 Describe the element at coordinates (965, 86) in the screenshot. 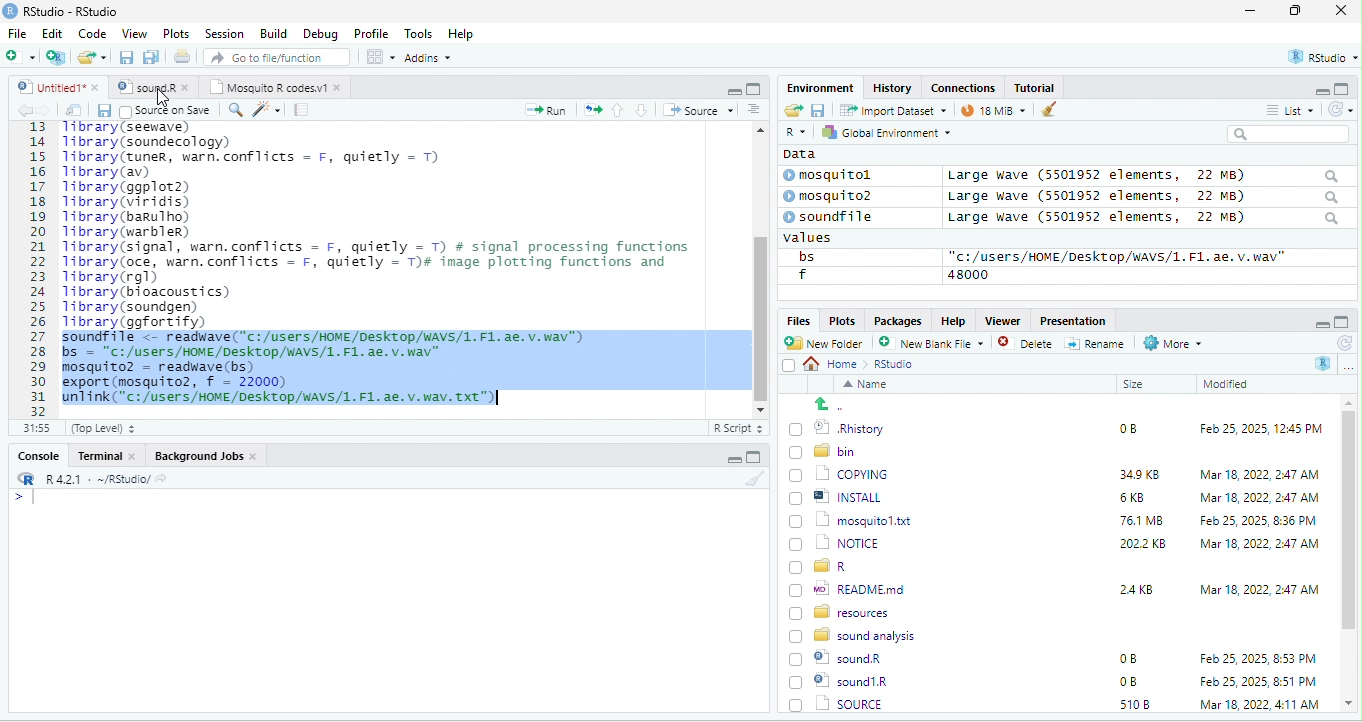

I see `clases` at that location.